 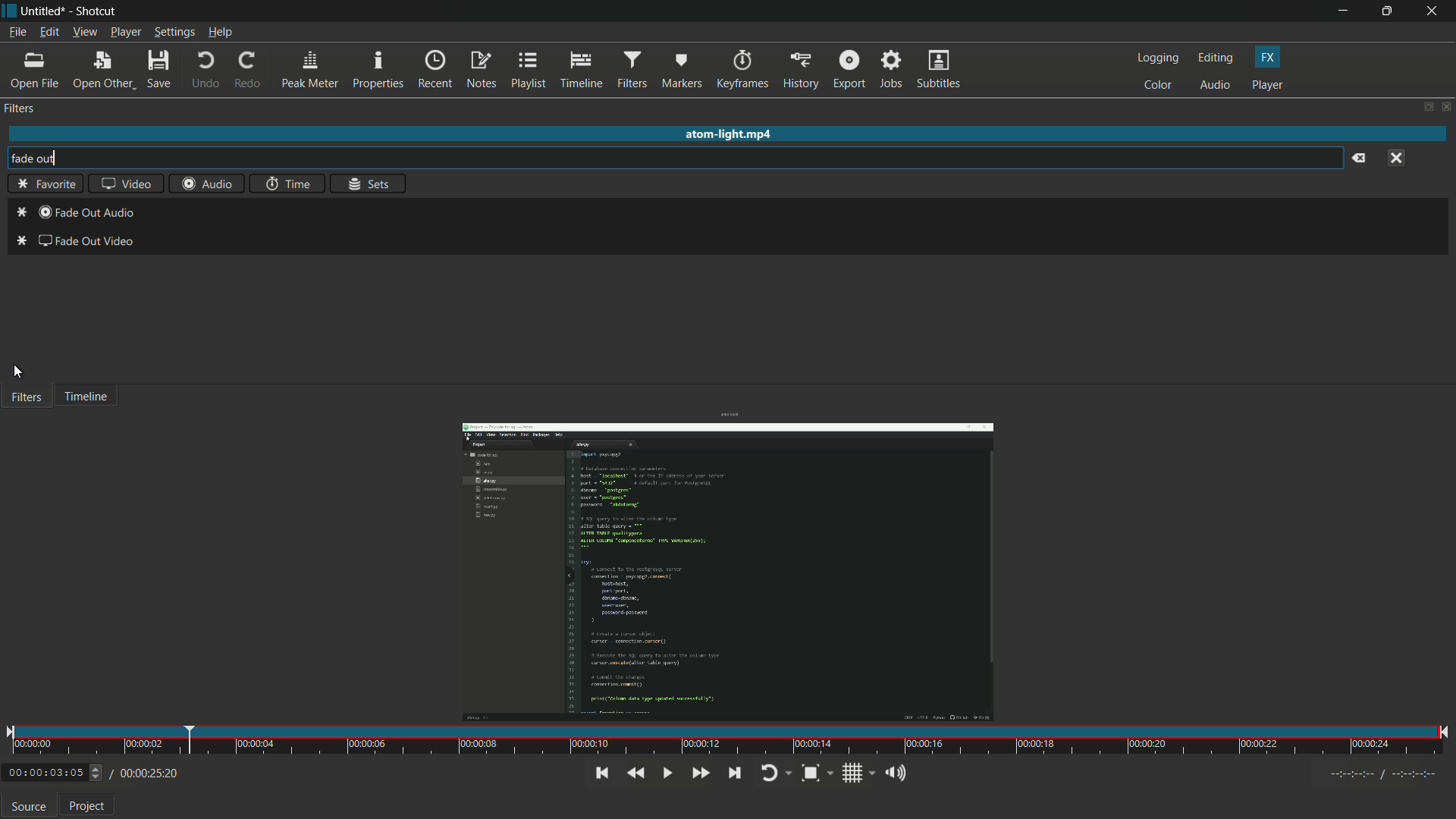 I want to click on imported file name, so click(x=730, y=136).